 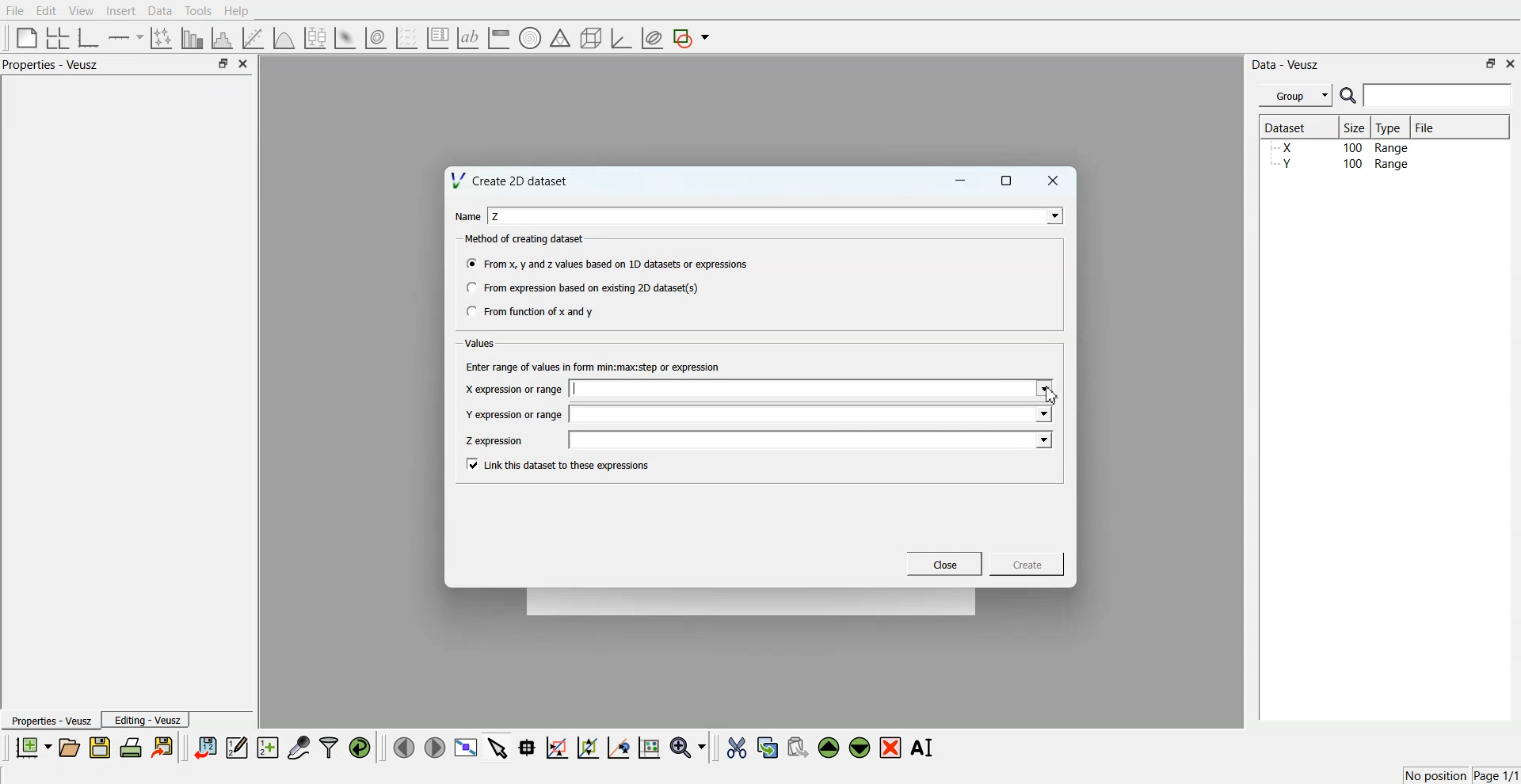 I want to click on Search Bar, so click(x=1427, y=95).